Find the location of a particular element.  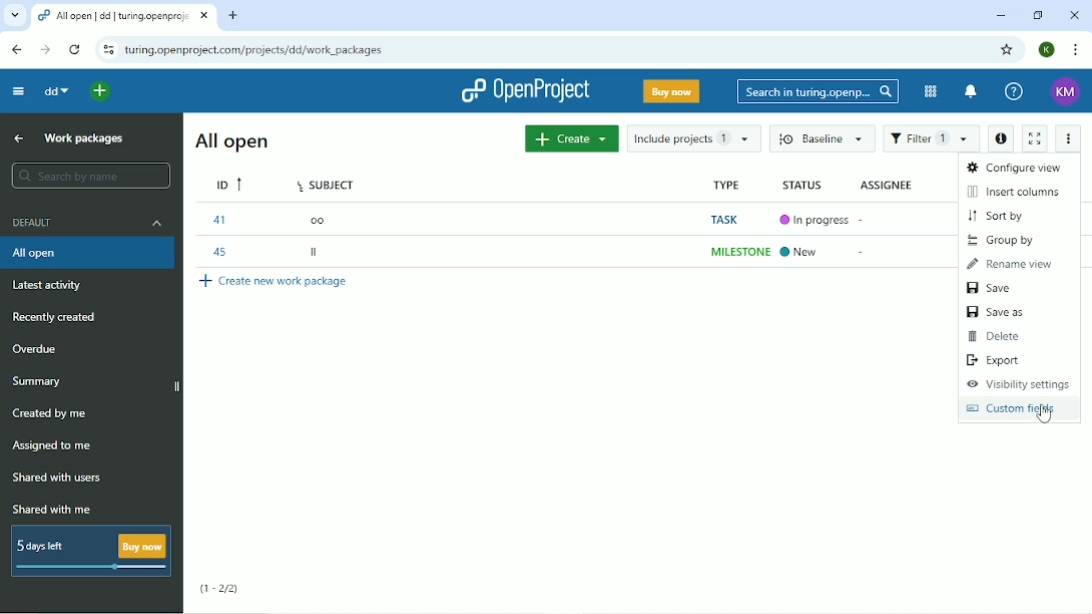

Summary is located at coordinates (42, 381).